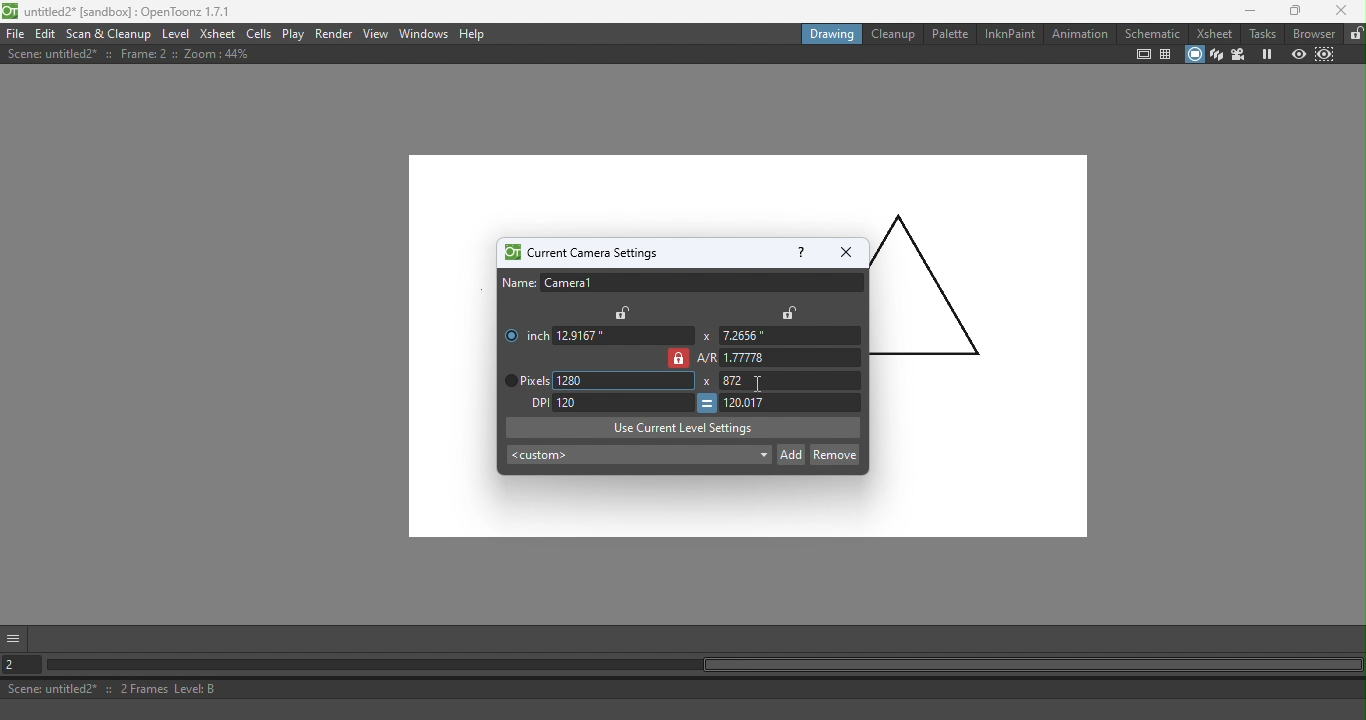 This screenshot has height=720, width=1366. I want to click on Help, so click(474, 34).